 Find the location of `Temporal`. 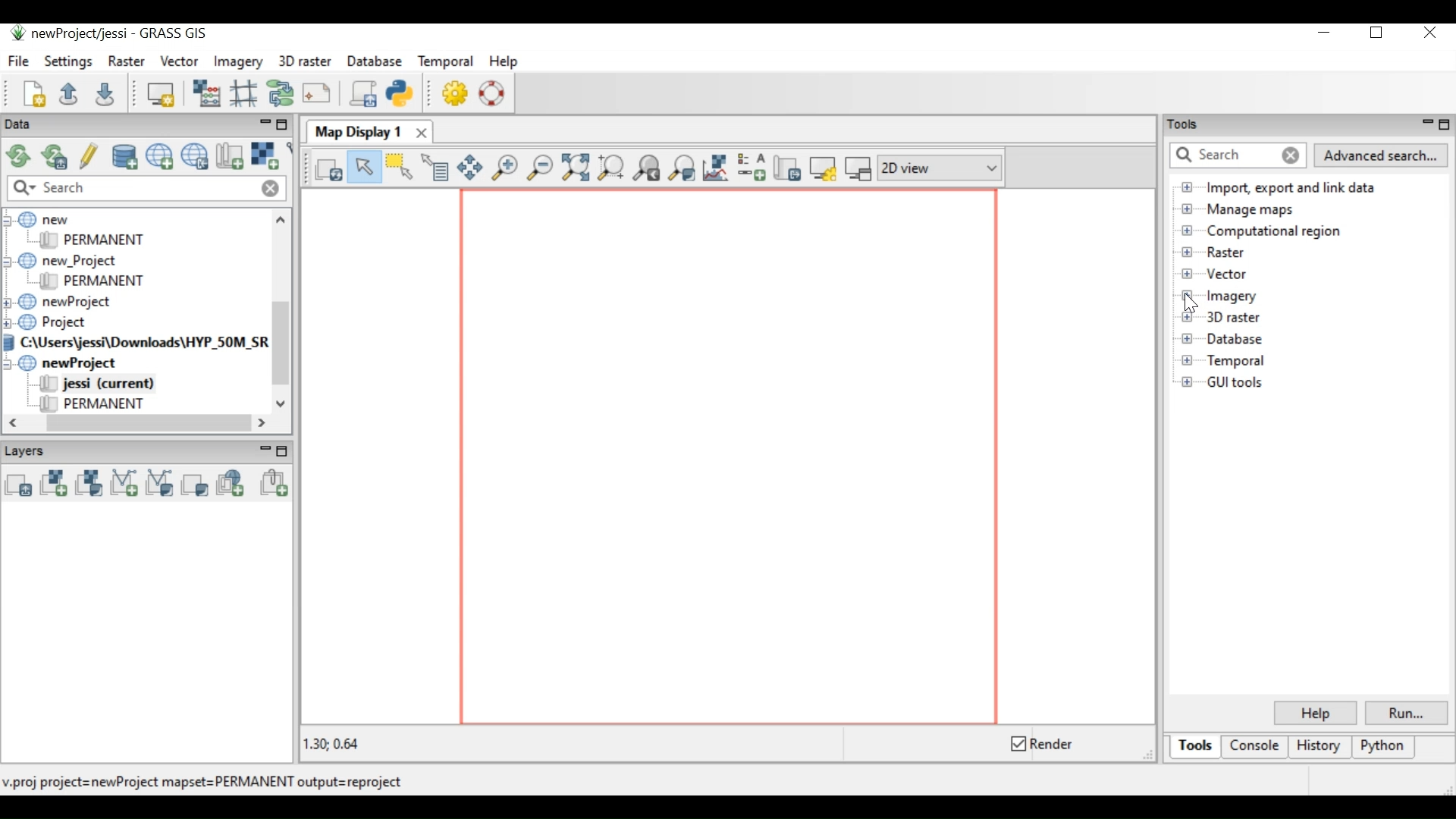

Temporal is located at coordinates (447, 61).